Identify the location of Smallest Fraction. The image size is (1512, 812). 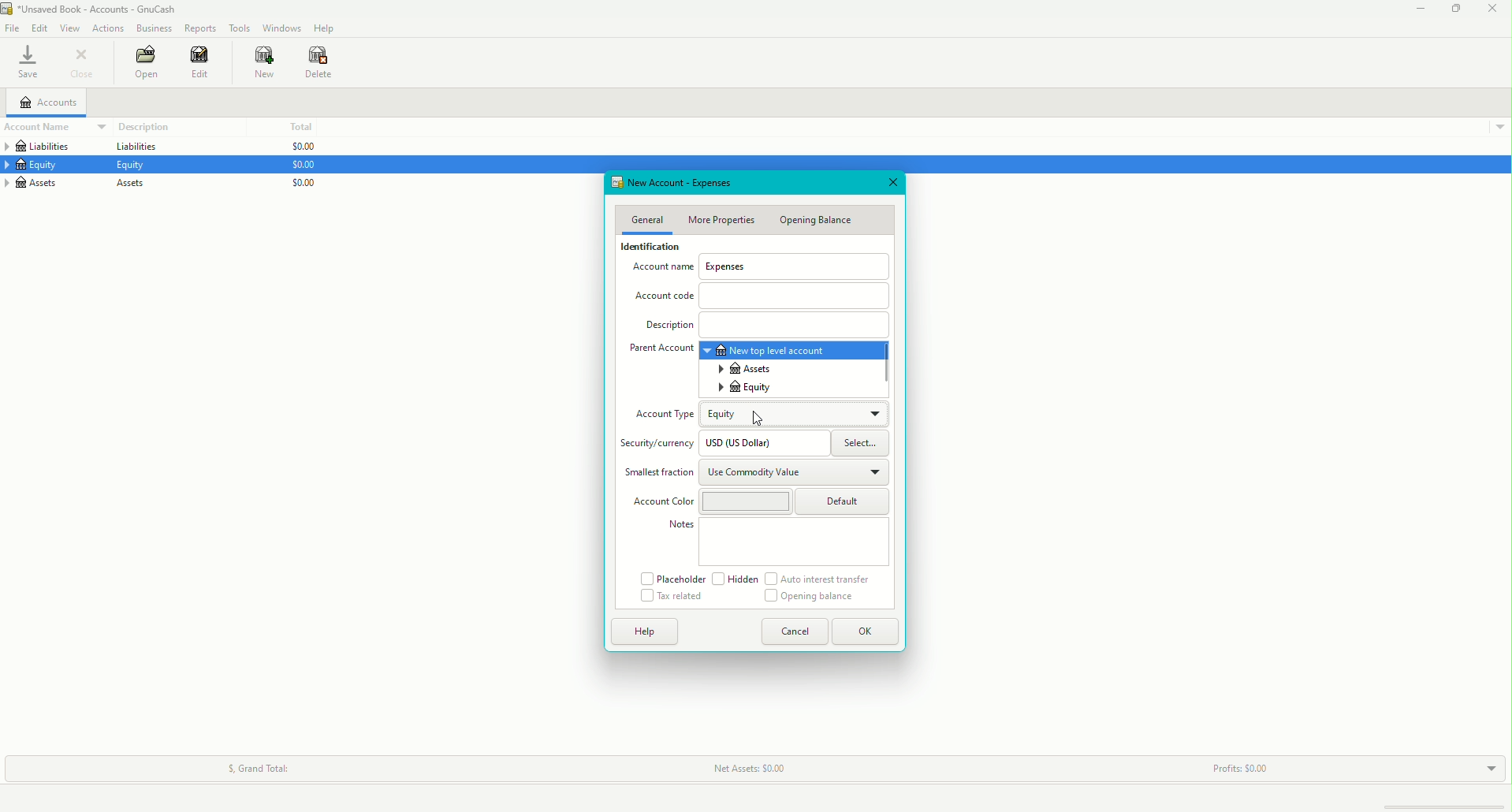
(658, 472).